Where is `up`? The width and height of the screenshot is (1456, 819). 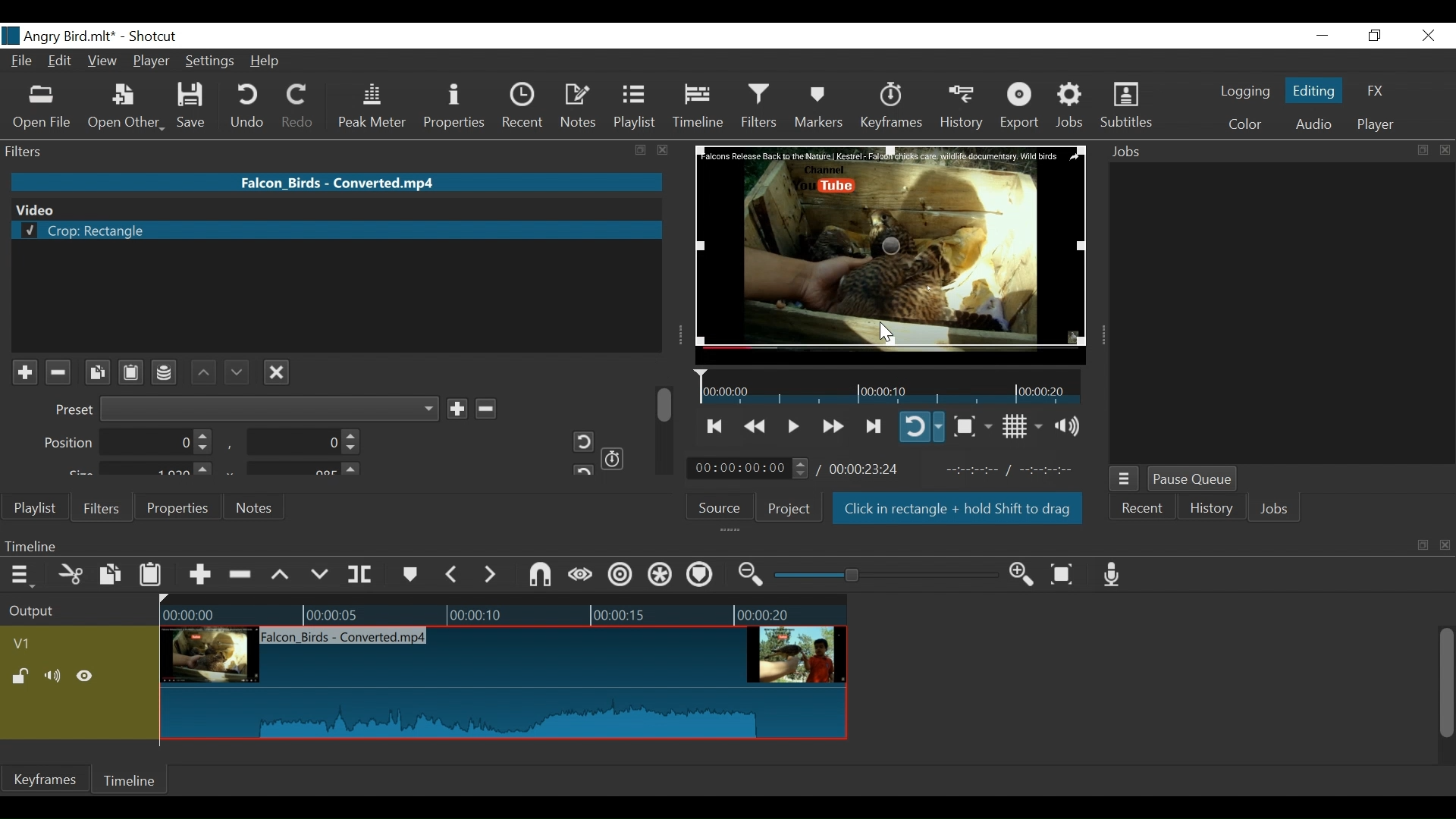 up is located at coordinates (204, 372).